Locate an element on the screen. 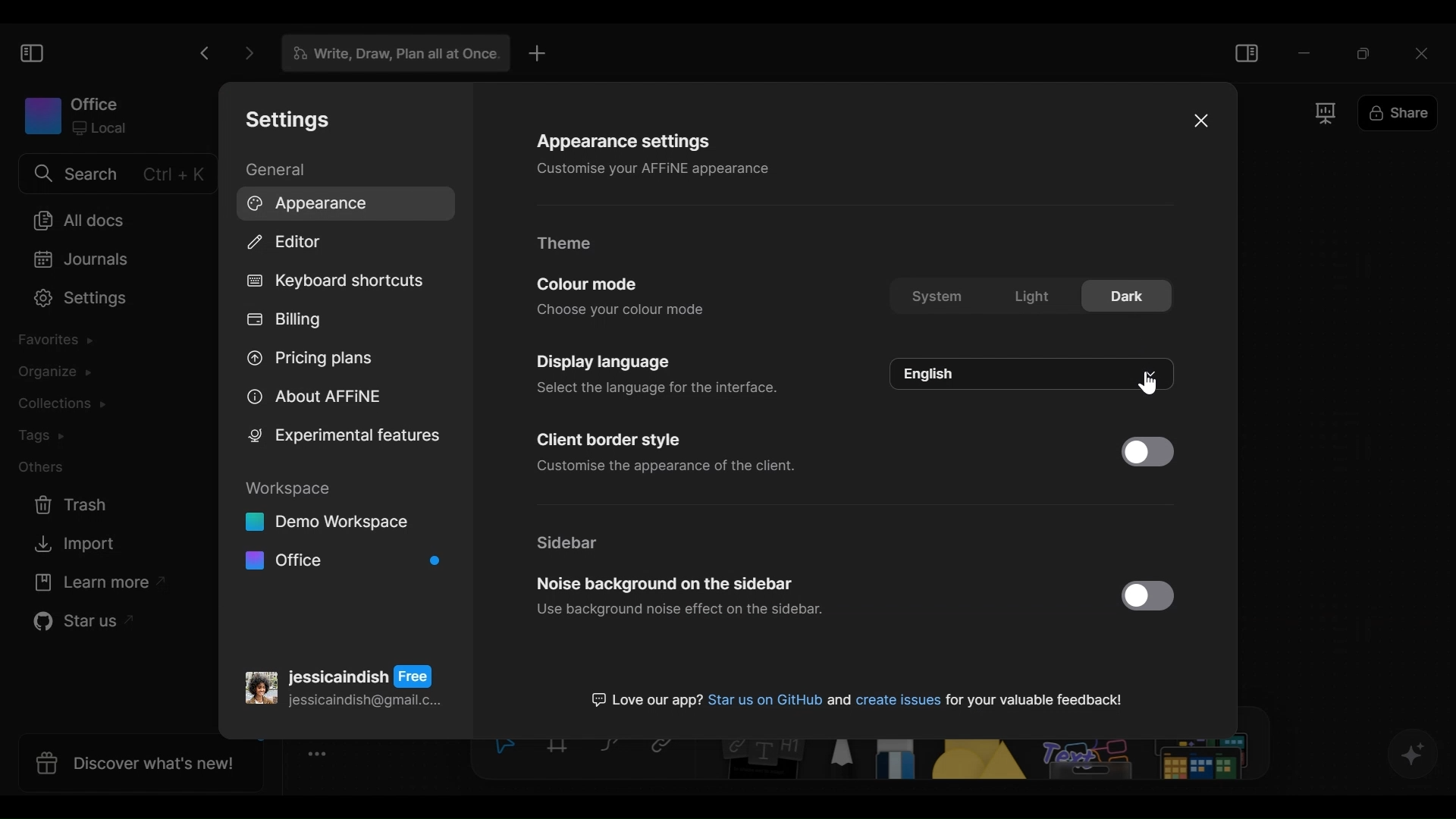 The width and height of the screenshot is (1456, 819). Tab is located at coordinates (389, 54).